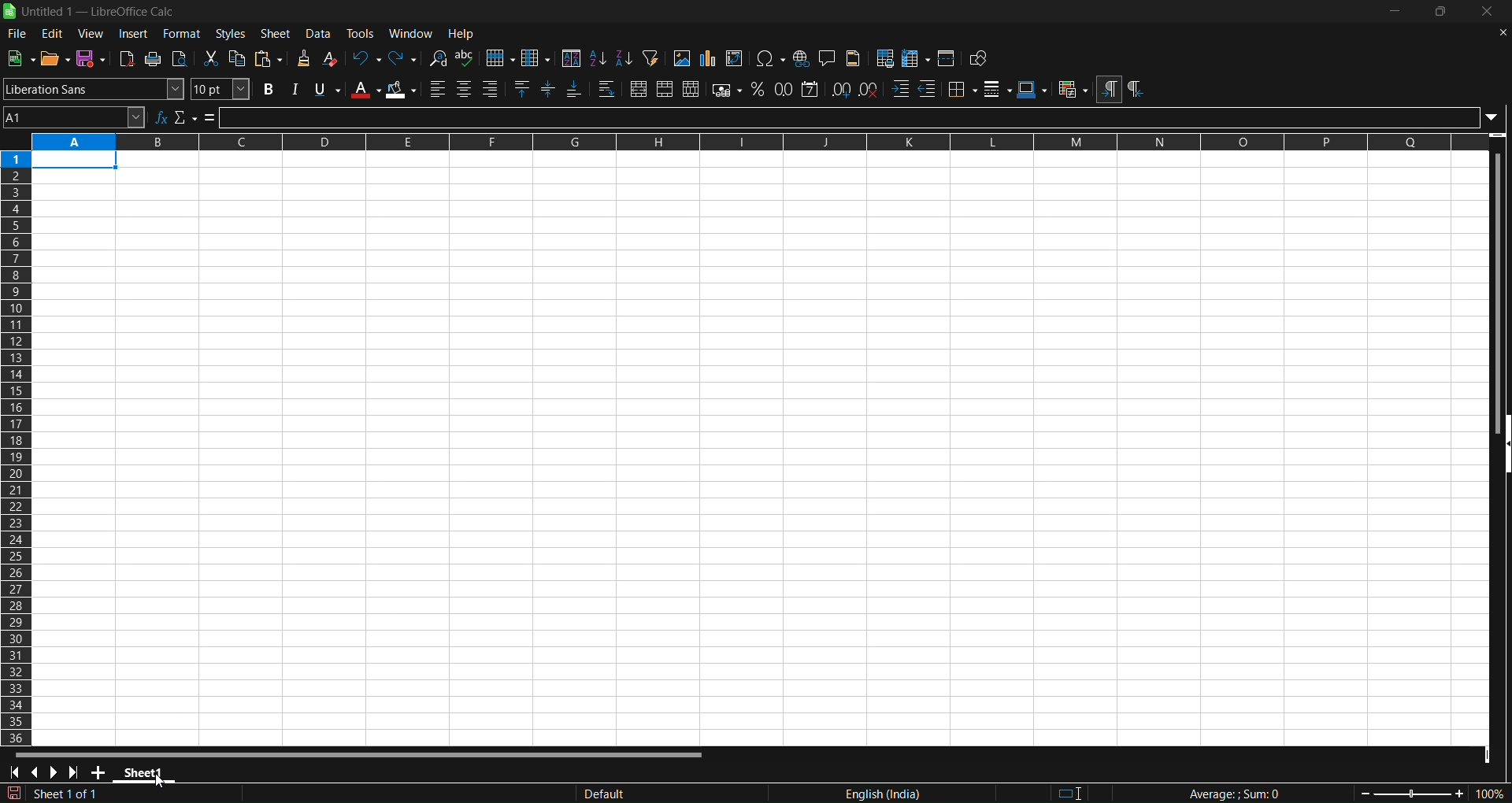 The image size is (1512, 803). What do you see at coordinates (402, 90) in the screenshot?
I see `background color` at bounding box center [402, 90].